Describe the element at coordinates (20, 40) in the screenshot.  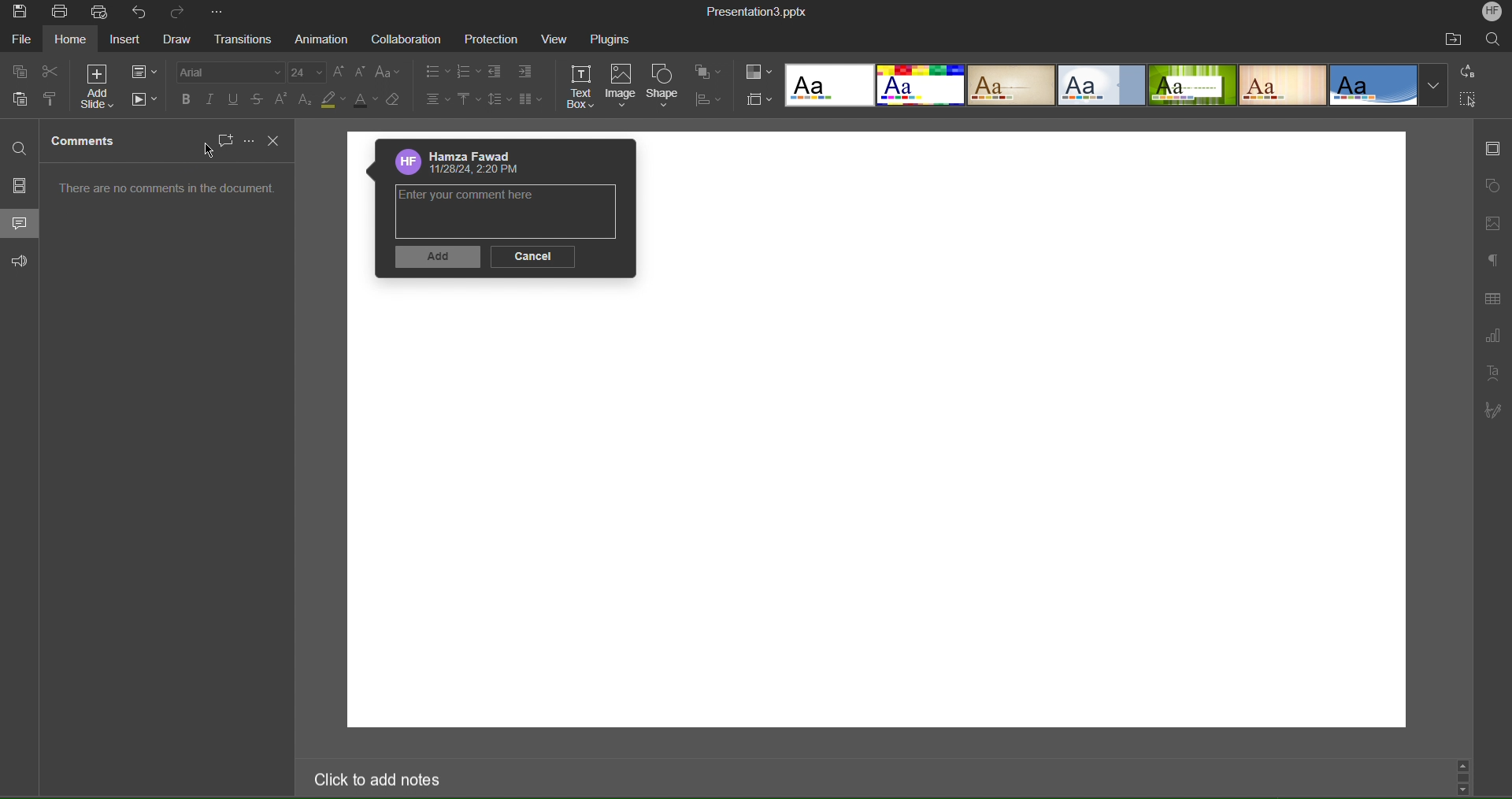
I see `File` at that location.